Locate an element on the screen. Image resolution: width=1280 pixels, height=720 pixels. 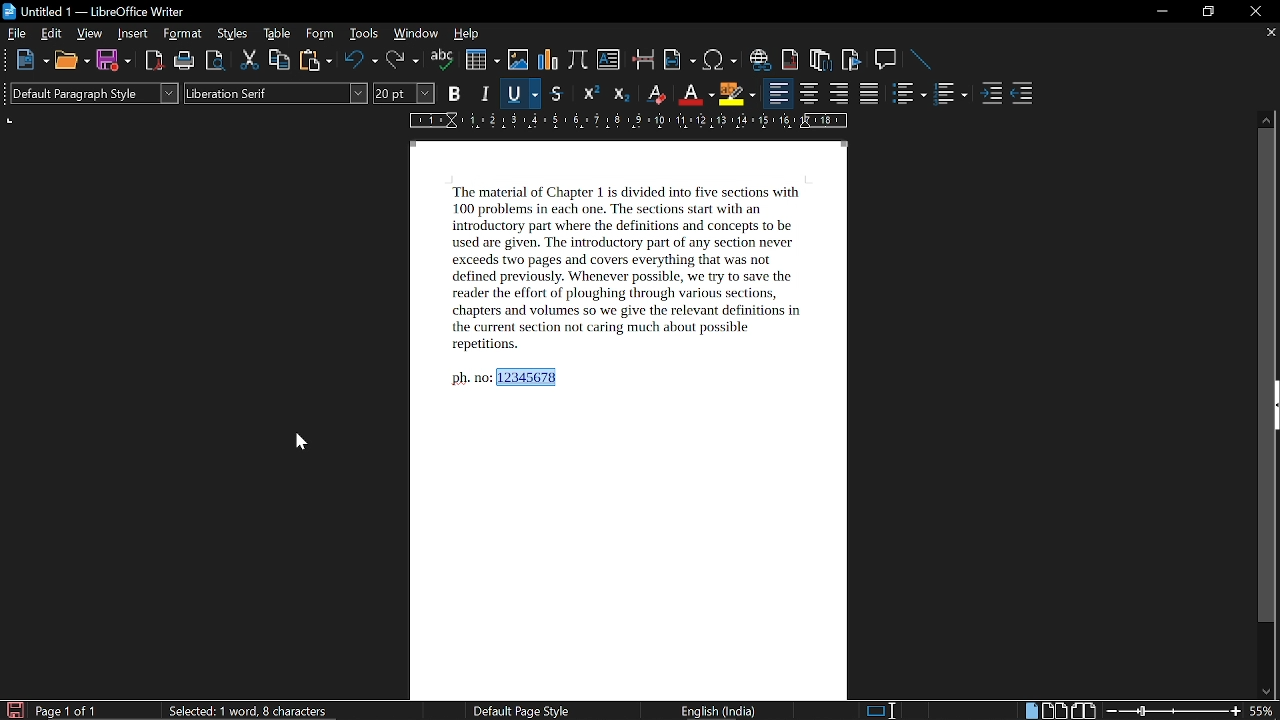
page 1 of 1 is located at coordinates (67, 712).